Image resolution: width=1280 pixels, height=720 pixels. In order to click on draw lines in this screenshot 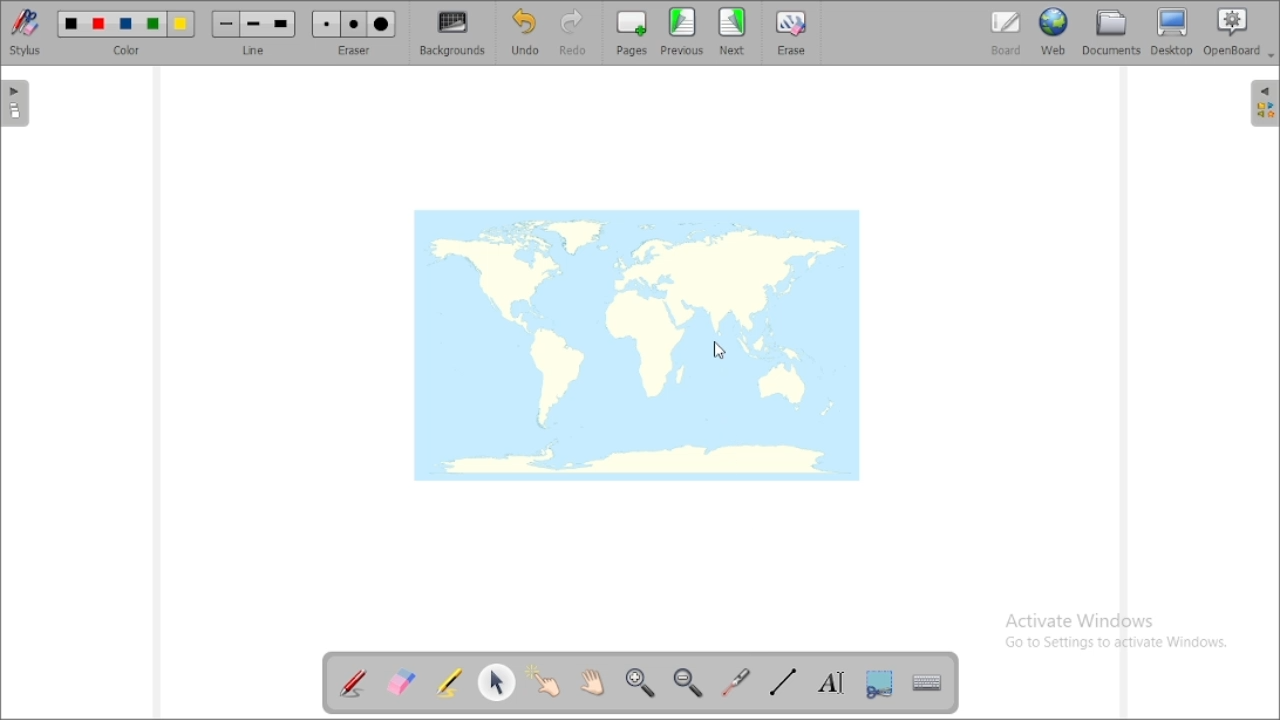, I will do `click(782, 683)`.